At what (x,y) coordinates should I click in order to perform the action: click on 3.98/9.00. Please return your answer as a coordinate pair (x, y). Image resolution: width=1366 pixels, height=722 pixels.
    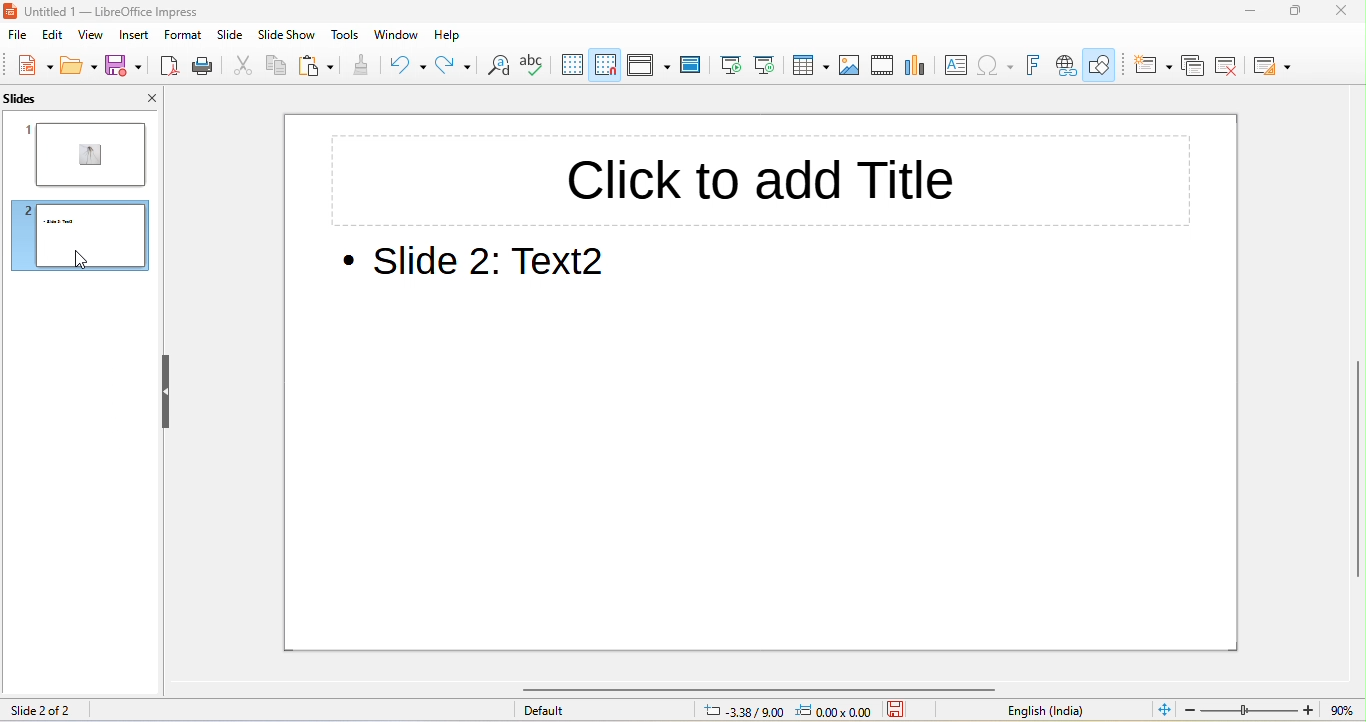
    Looking at the image, I should click on (742, 712).